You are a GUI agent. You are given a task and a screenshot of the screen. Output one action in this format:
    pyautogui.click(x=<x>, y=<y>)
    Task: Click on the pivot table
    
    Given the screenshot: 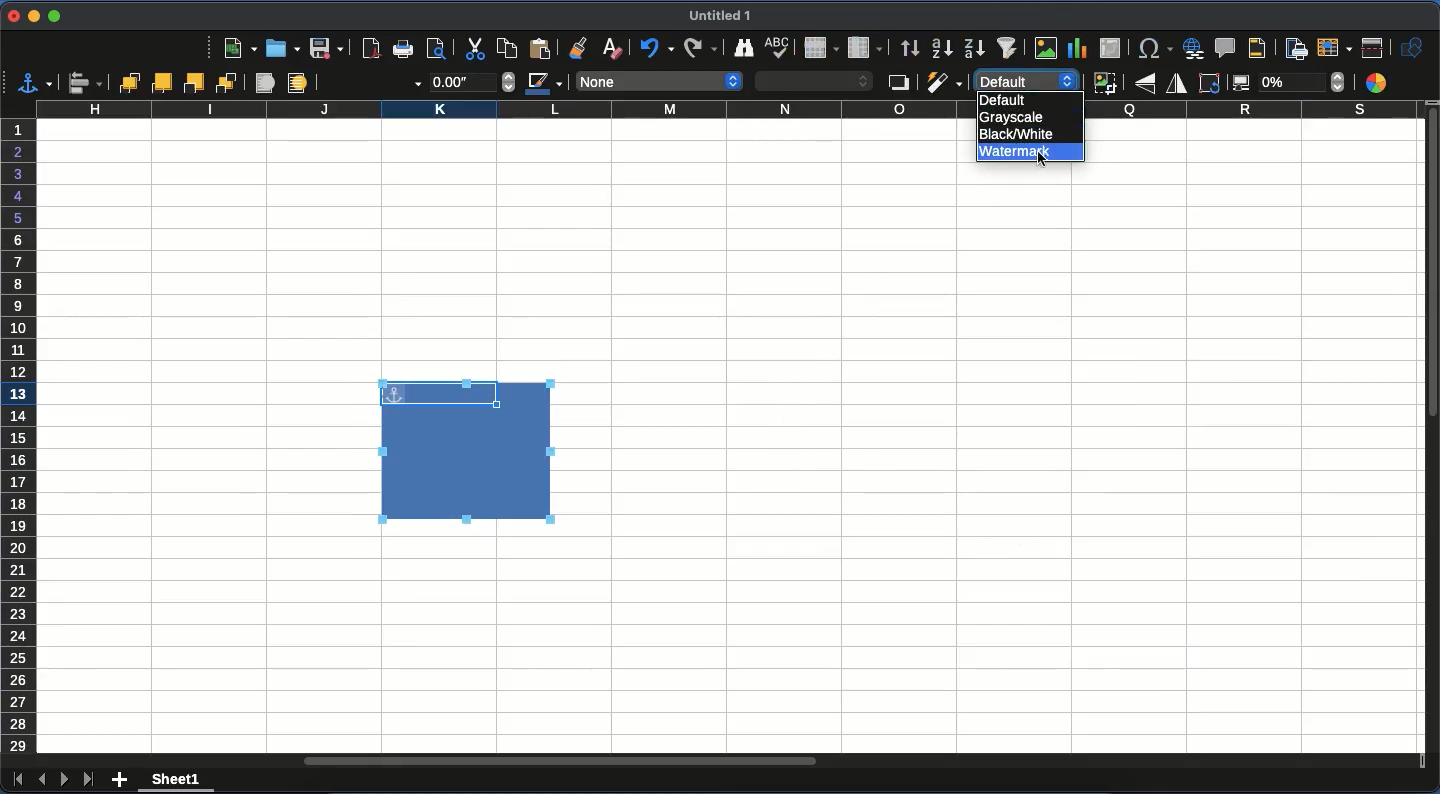 What is the action you would take?
    pyautogui.click(x=1113, y=48)
    